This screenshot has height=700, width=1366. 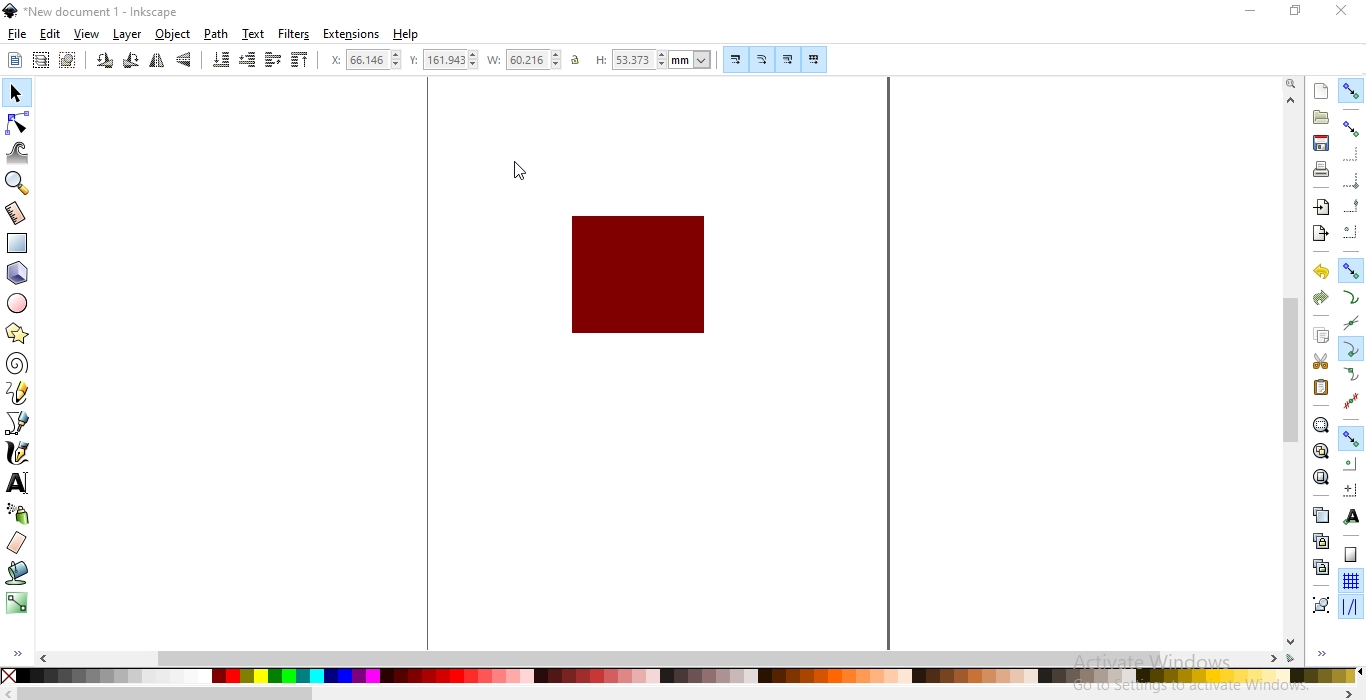 What do you see at coordinates (1349, 515) in the screenshot?
I see `snap text anchors and baselines` at bounding box center [1349, 515].